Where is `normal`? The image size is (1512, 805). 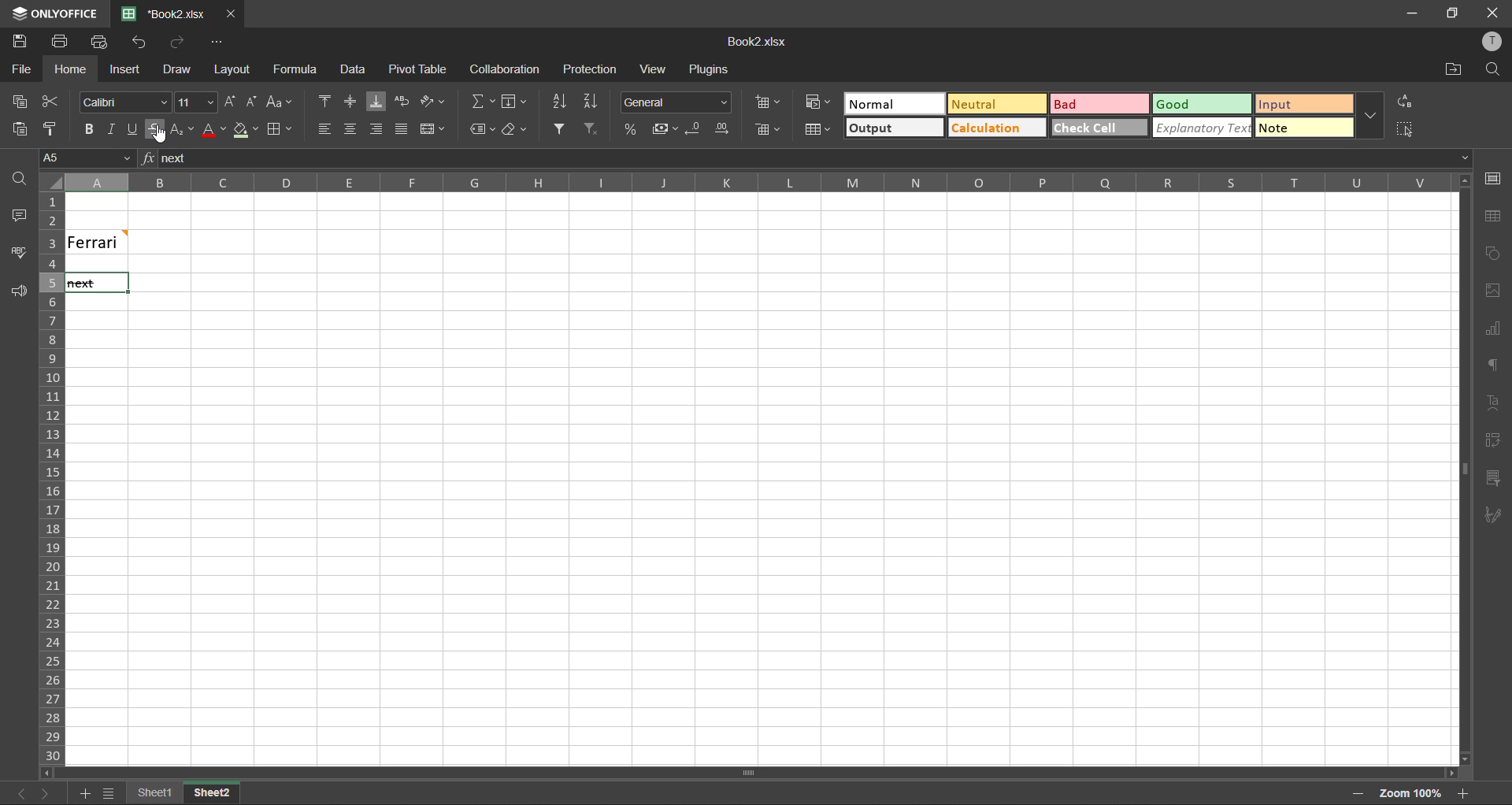 normal is located at coordinates (895, 104).